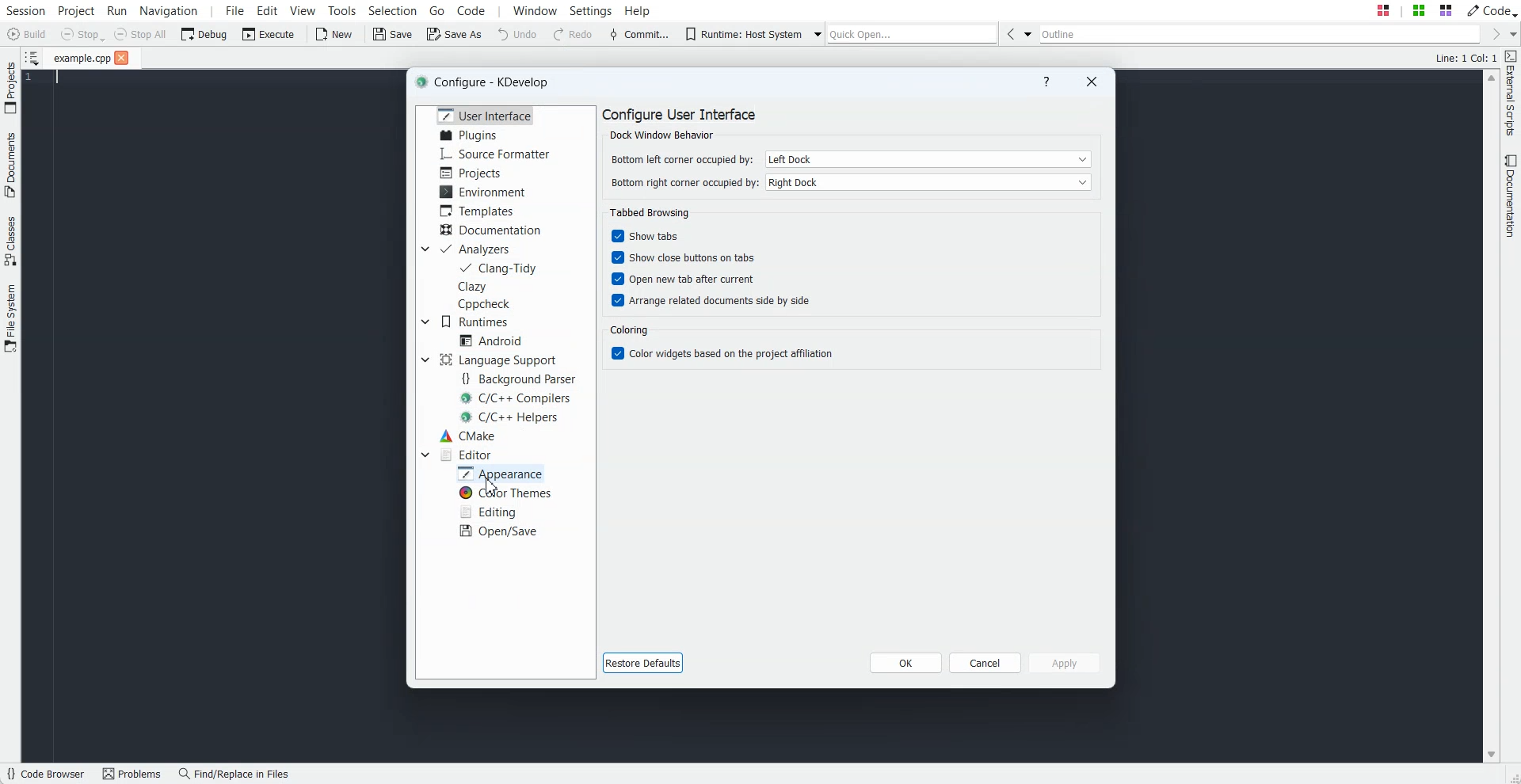 The width and height of the screenshot is (1521, 784). I want to click on Drop down box, so click(814, 33).